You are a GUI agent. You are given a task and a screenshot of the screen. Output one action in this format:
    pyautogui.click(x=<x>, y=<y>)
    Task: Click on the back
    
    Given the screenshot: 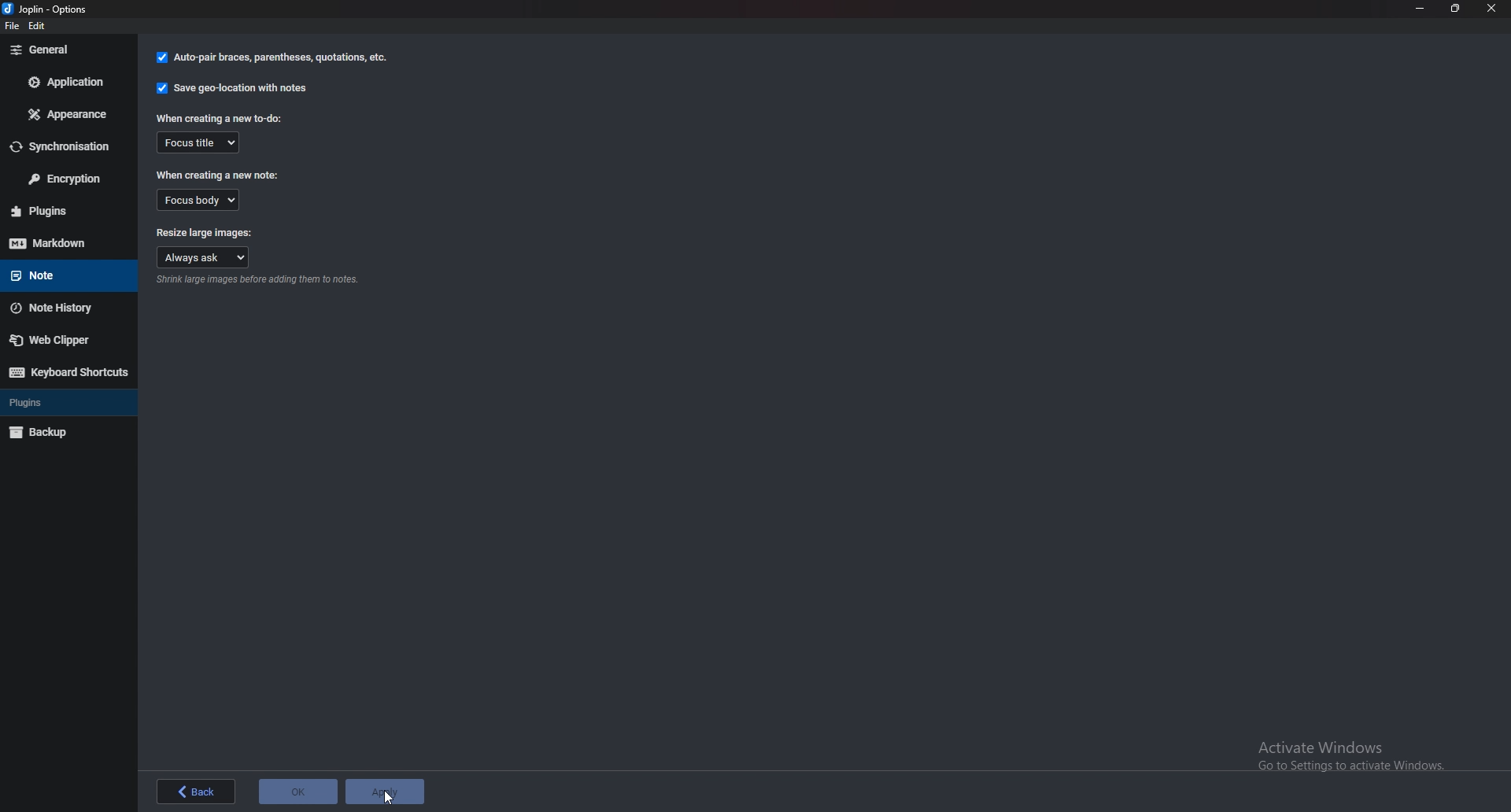 What is the action you would take?
    pyautogui.click(x=194, y=792)
    